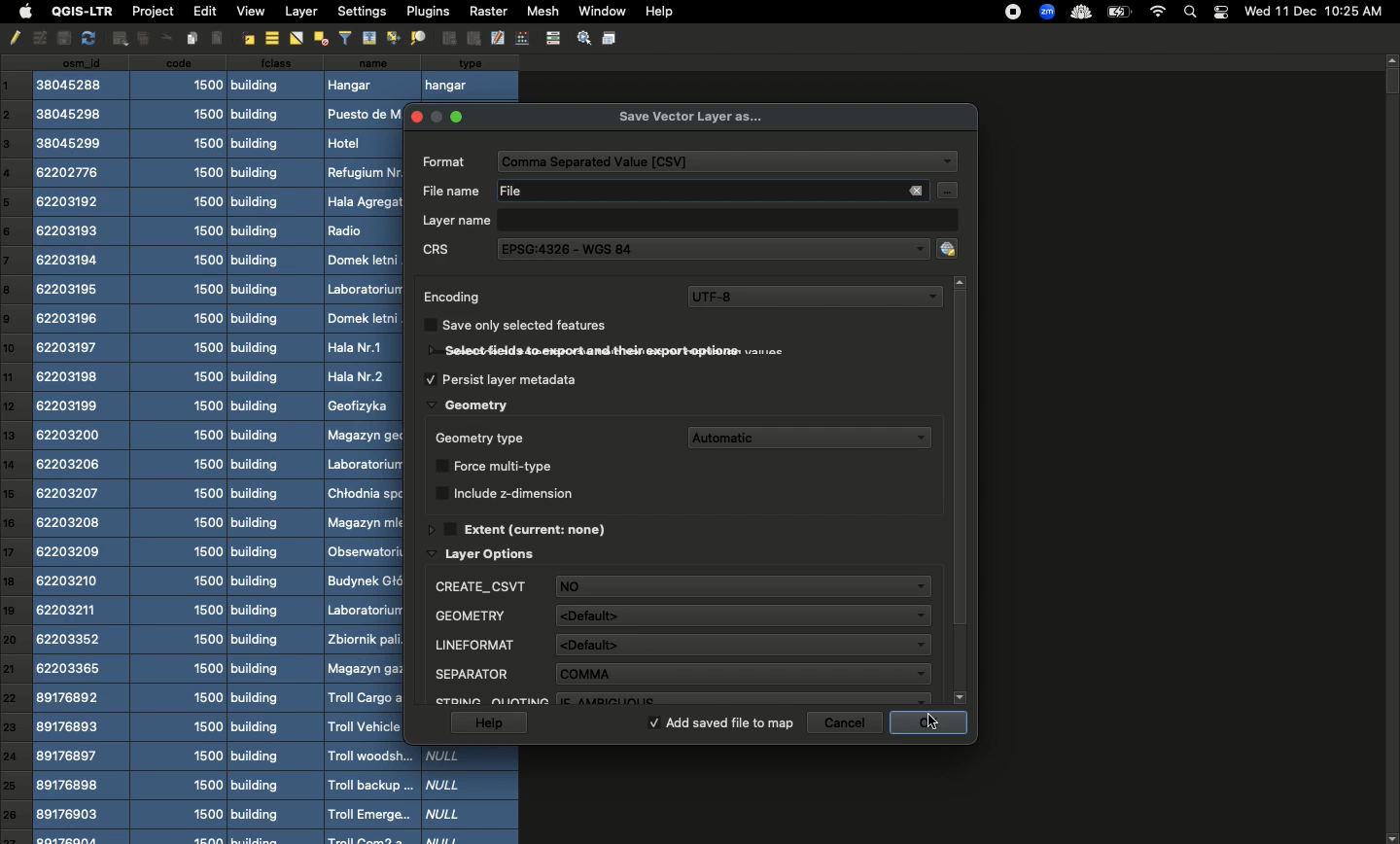 The width and height of the screenshot is (1400, 844). I want to click on Save only selected features, so click(537, 327).